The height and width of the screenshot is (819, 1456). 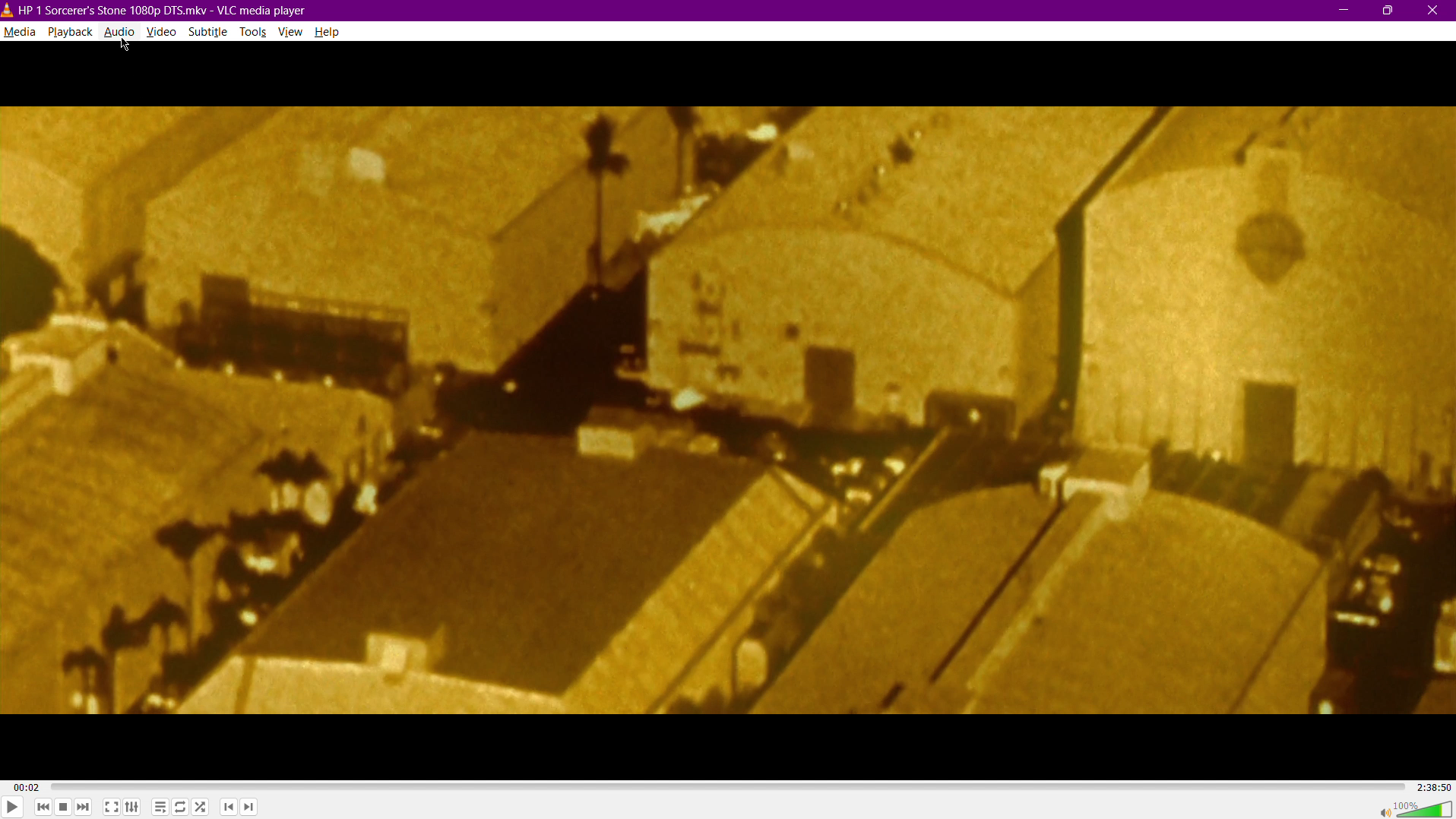 What do you see at coordinates (70, 32) in the screenshot?
I see `Playback` at bounding box center [70, 32].